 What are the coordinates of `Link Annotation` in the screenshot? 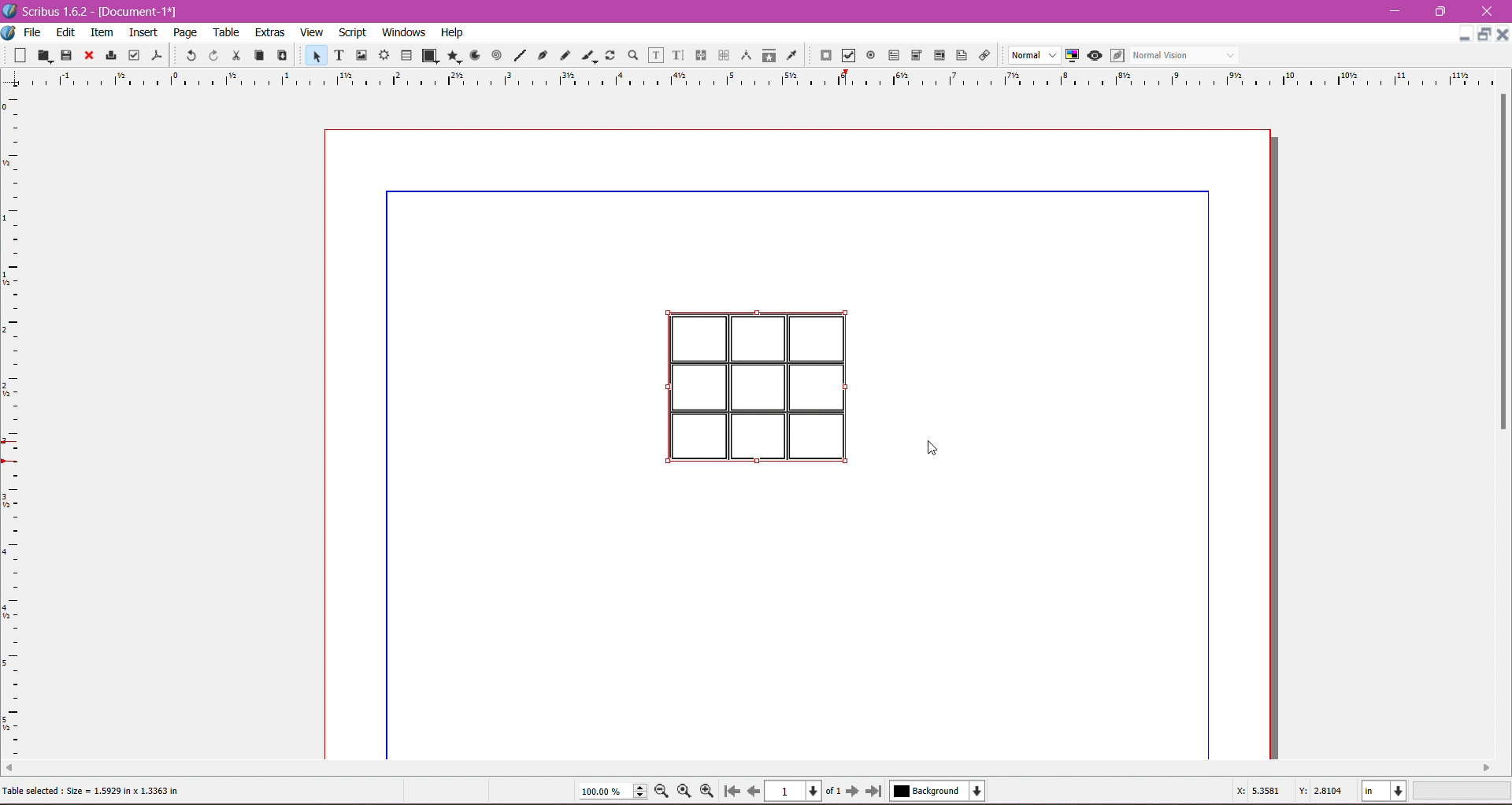 It's located at (982, 54).